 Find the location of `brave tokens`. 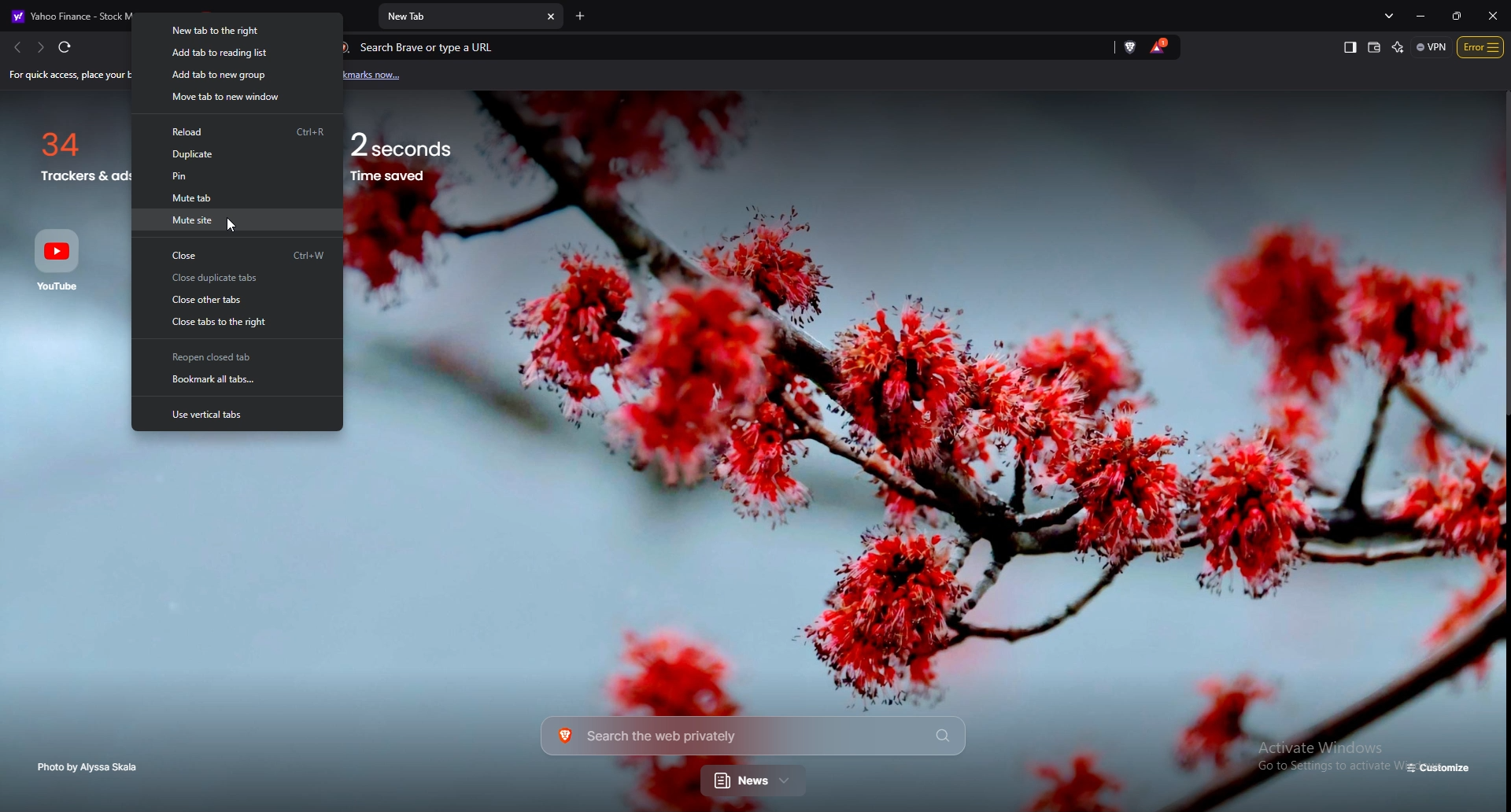

brave tokens is located at coordinates (1160, 46).